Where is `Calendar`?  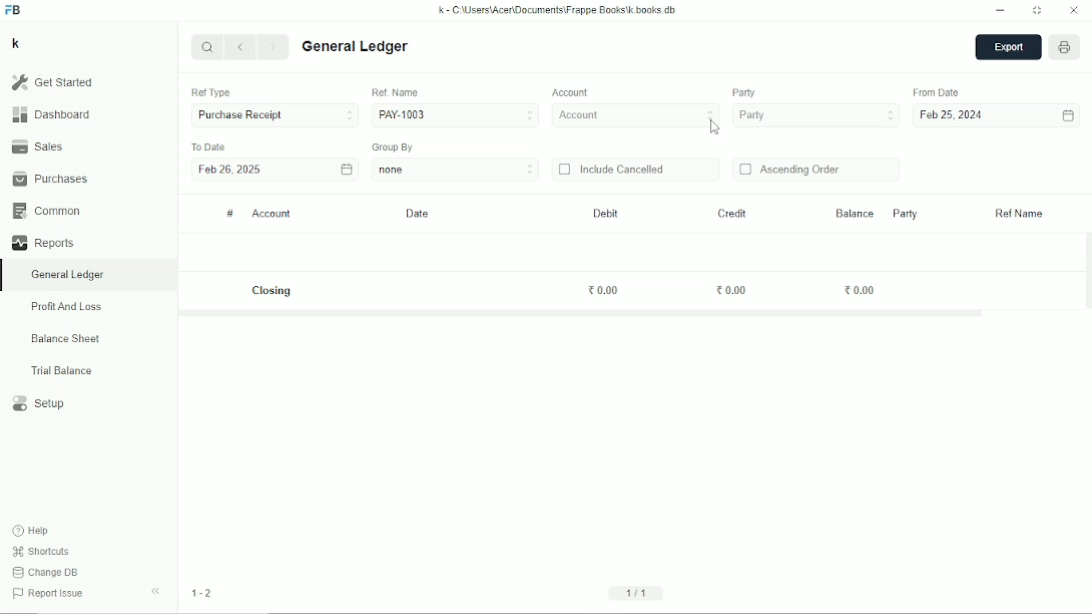
Calendar is located at coordinates (346, 168).